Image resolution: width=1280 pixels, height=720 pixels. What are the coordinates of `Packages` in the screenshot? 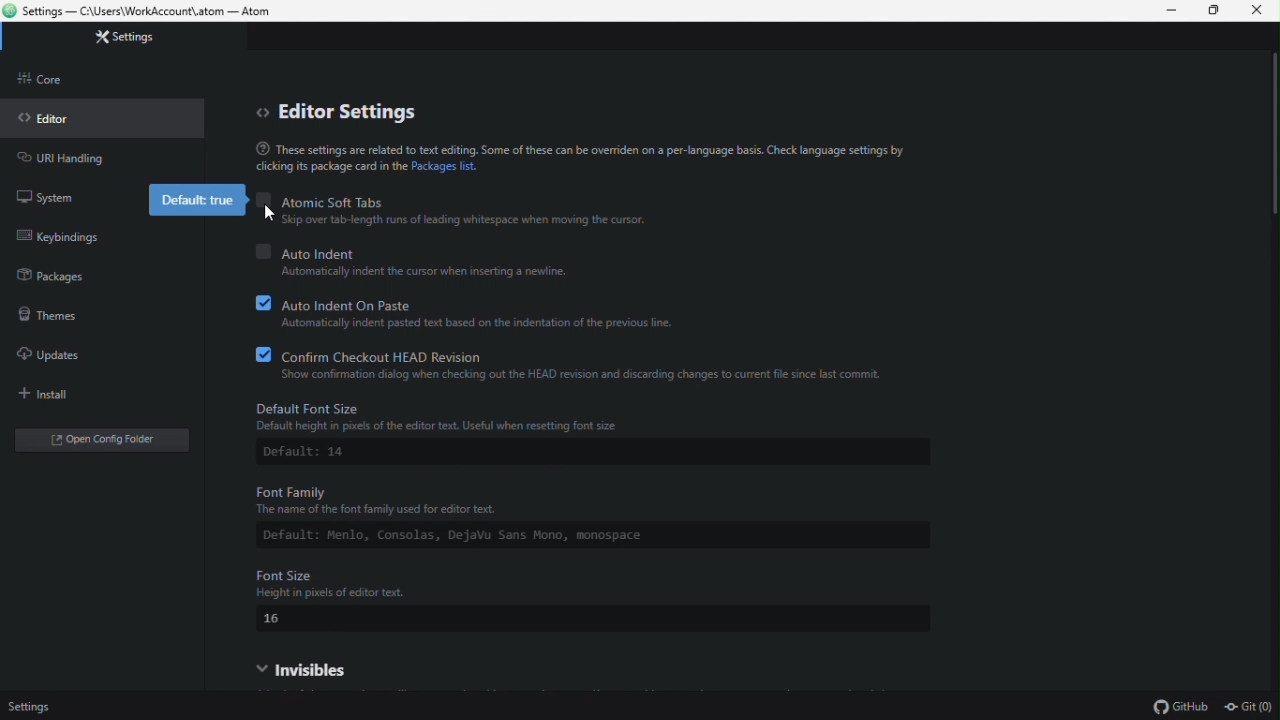 It's located at (50, 278).